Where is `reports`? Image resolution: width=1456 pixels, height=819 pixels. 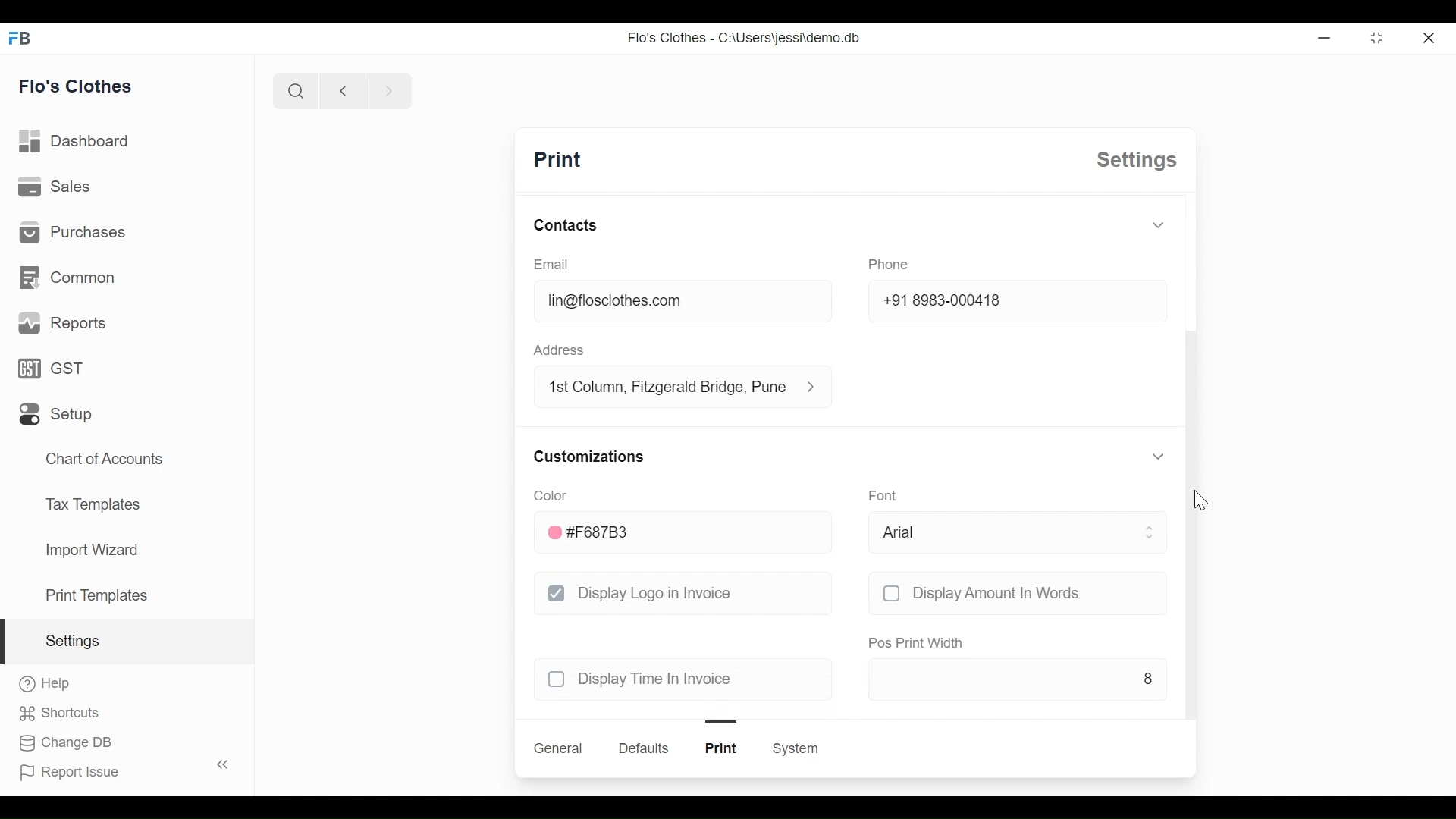
reports is located at coordinates (64, 323).